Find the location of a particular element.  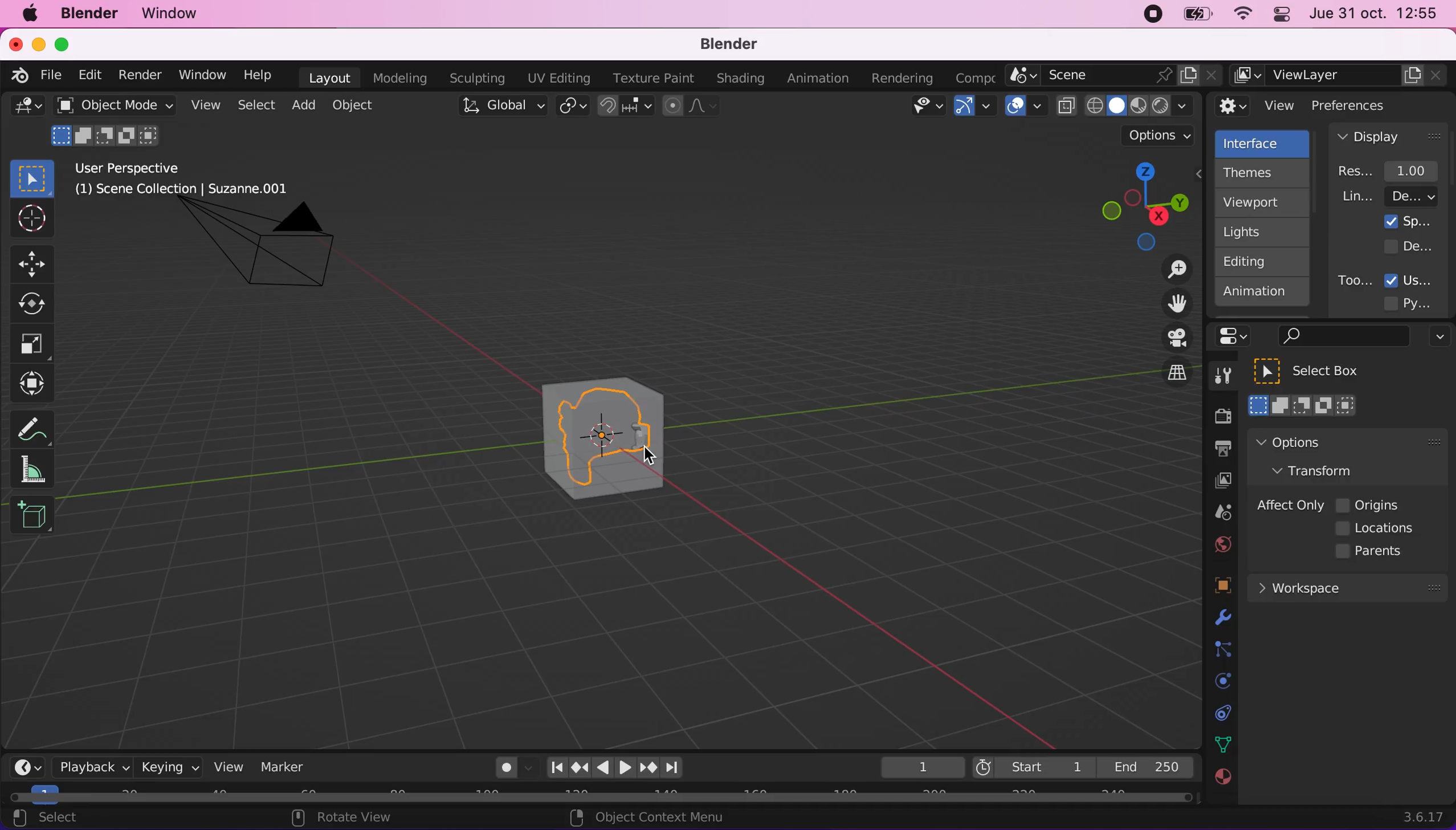

parents is located at coordinates (1375, 552).